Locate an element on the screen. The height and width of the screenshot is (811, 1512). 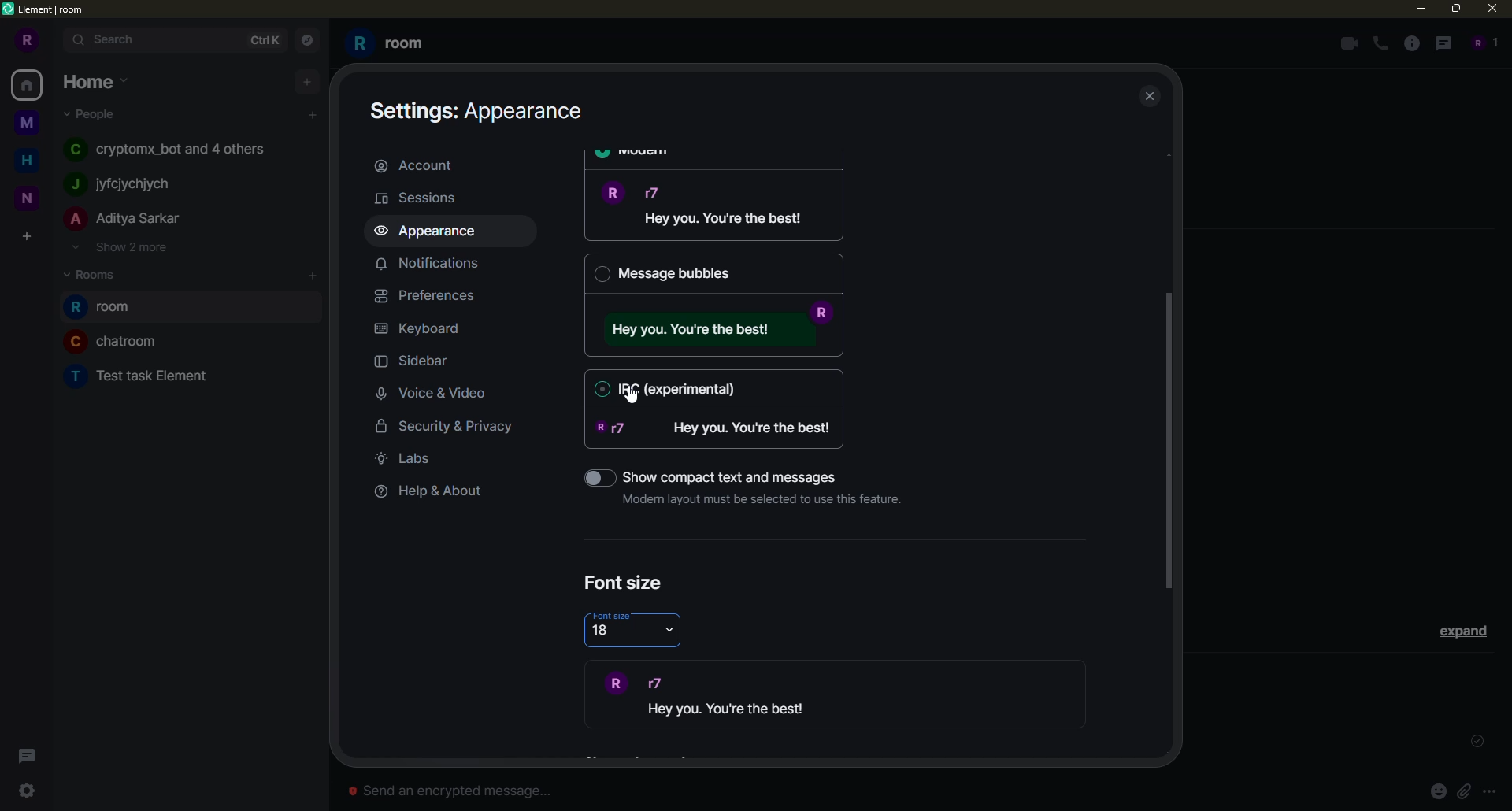
pin is located at coordinates (1463, 791).